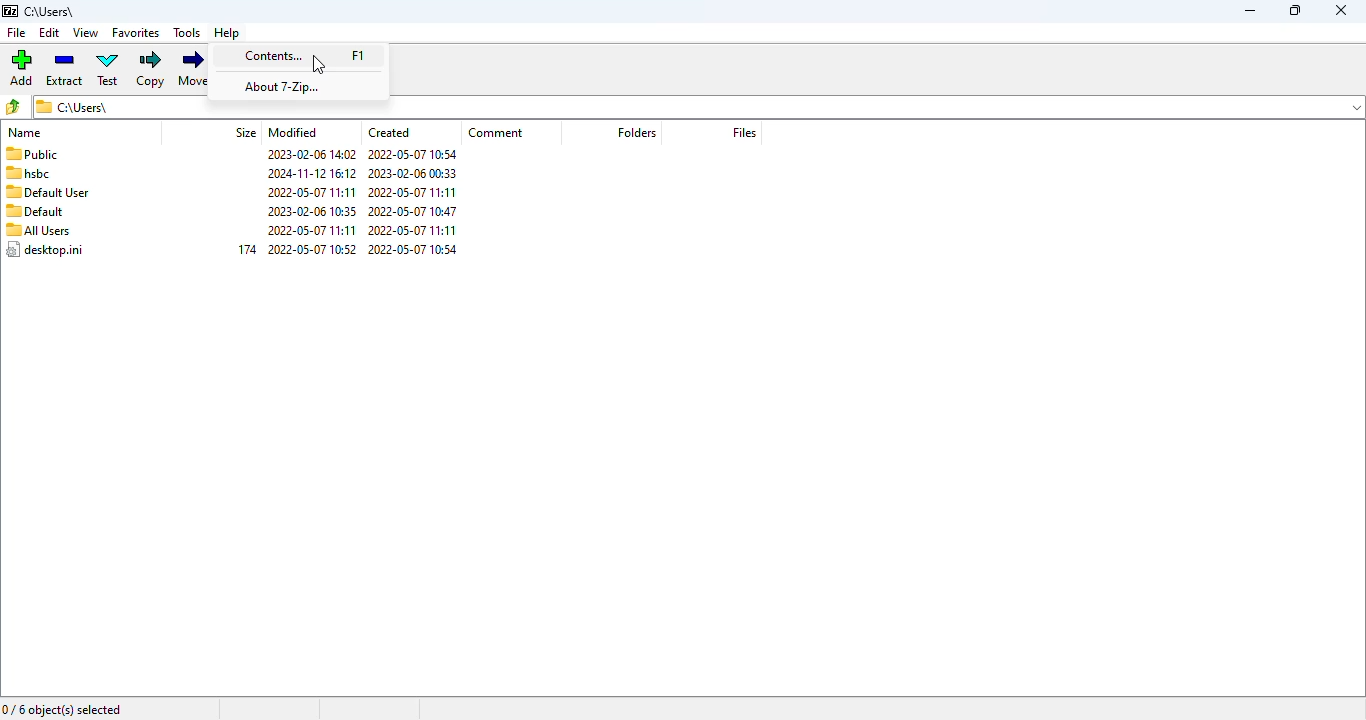  What do you see at coordinates (272, 55) in the screenshot?
I see `contents` at bounding box center [272, 55].